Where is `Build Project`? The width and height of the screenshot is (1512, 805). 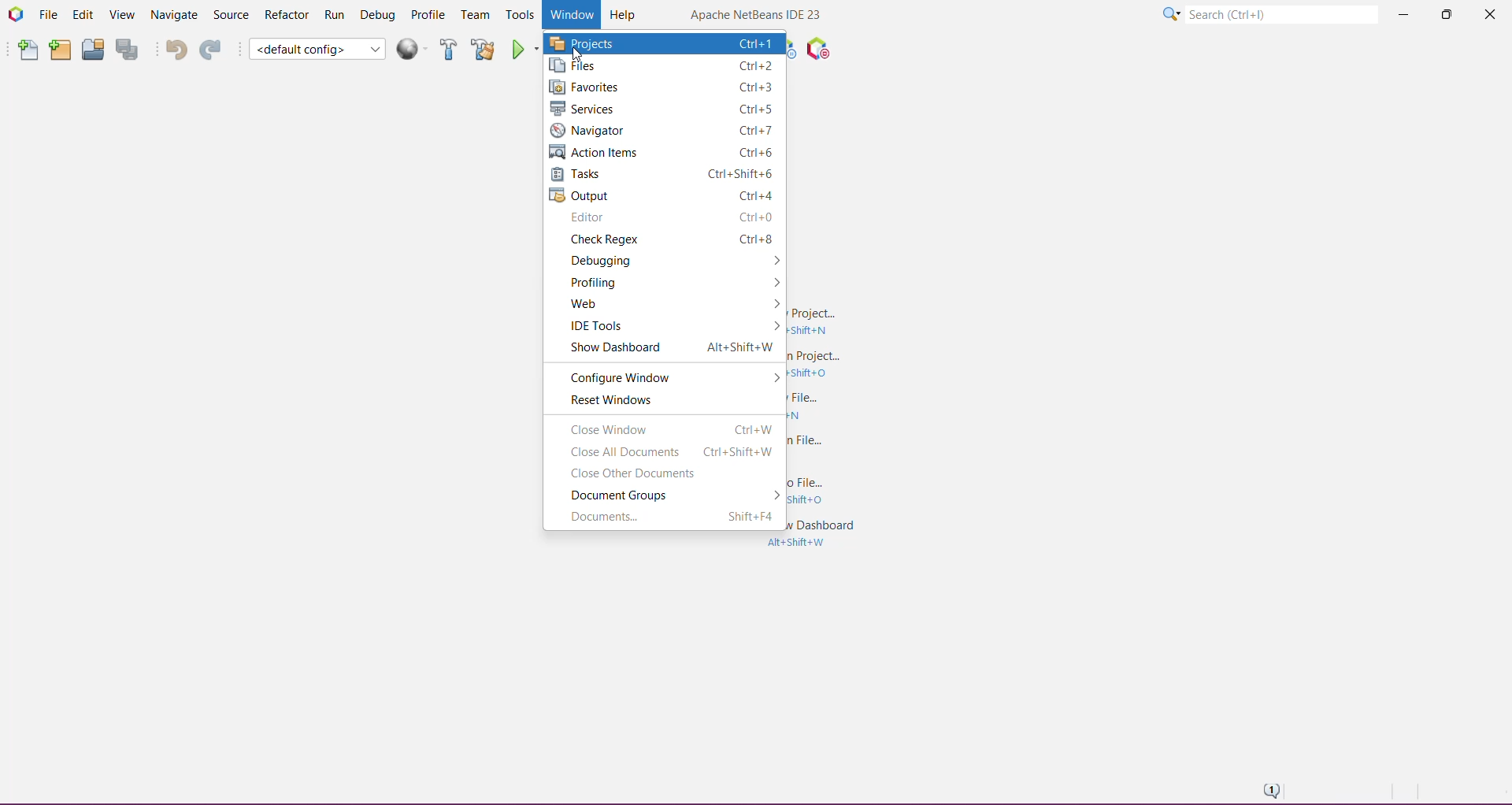
Build Project is located at coordinates (449, 49).